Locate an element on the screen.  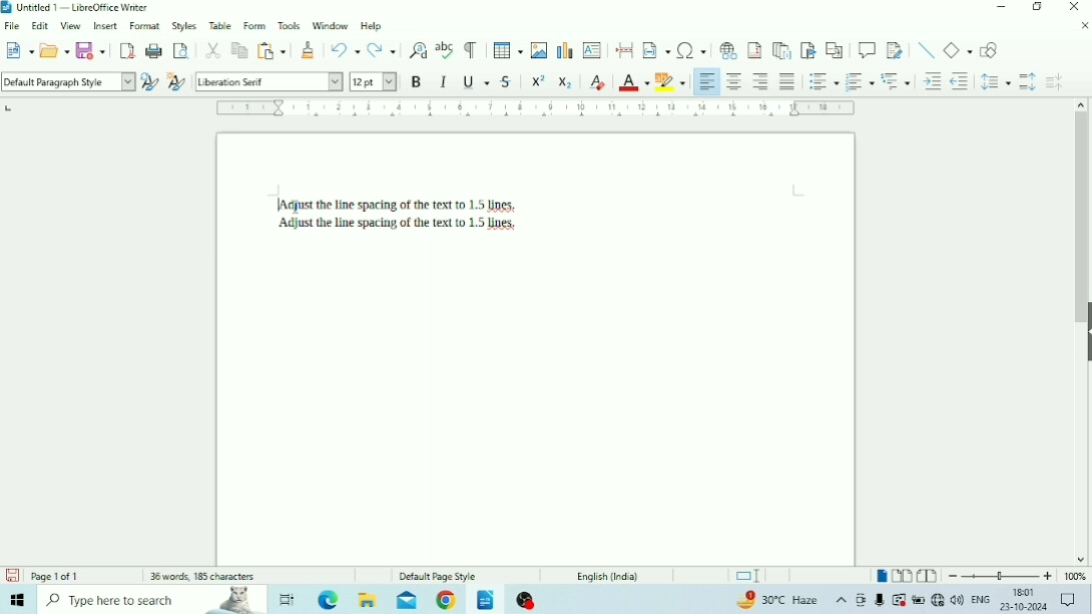
Single-page view is located at coordinates (882, 577).